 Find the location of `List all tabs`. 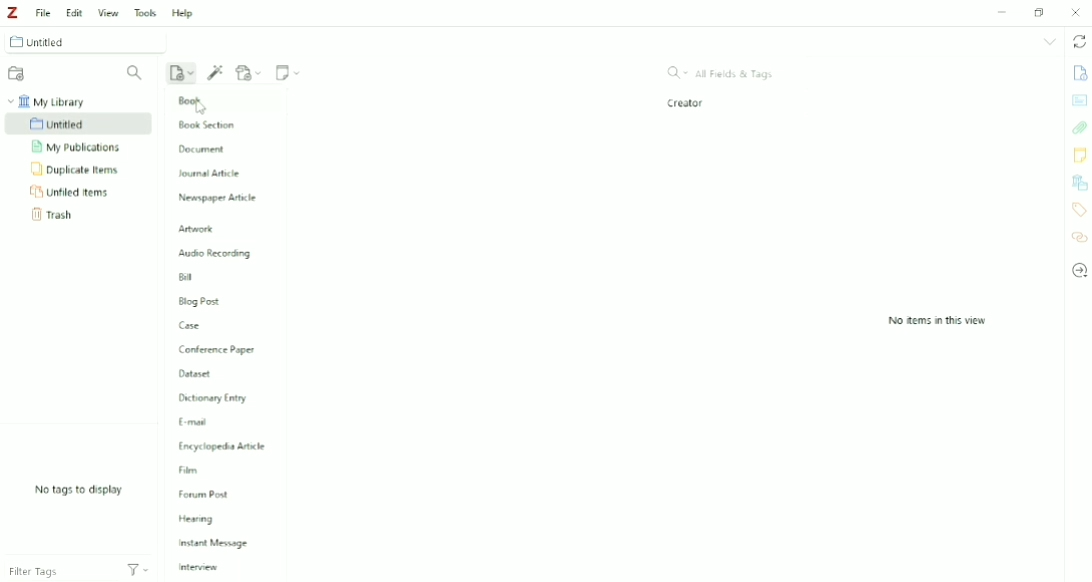

List all tabs is located at coordinates (1049, 42).